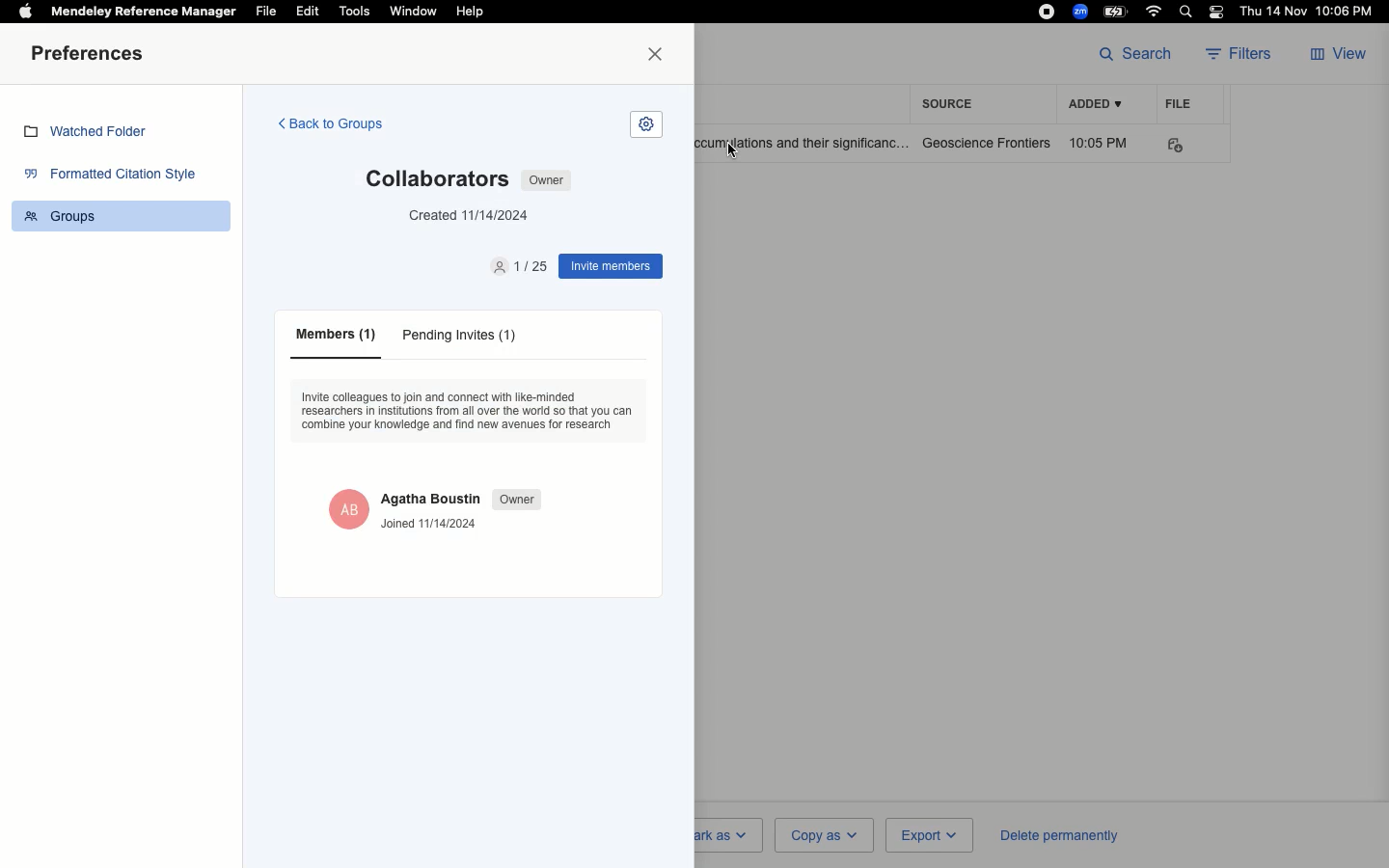 This screenshot has height=868, width=1389. What do you see at coordinates (25, 10) in the screenshot?
I see `Apple logo` at bounding box center [25, 10].